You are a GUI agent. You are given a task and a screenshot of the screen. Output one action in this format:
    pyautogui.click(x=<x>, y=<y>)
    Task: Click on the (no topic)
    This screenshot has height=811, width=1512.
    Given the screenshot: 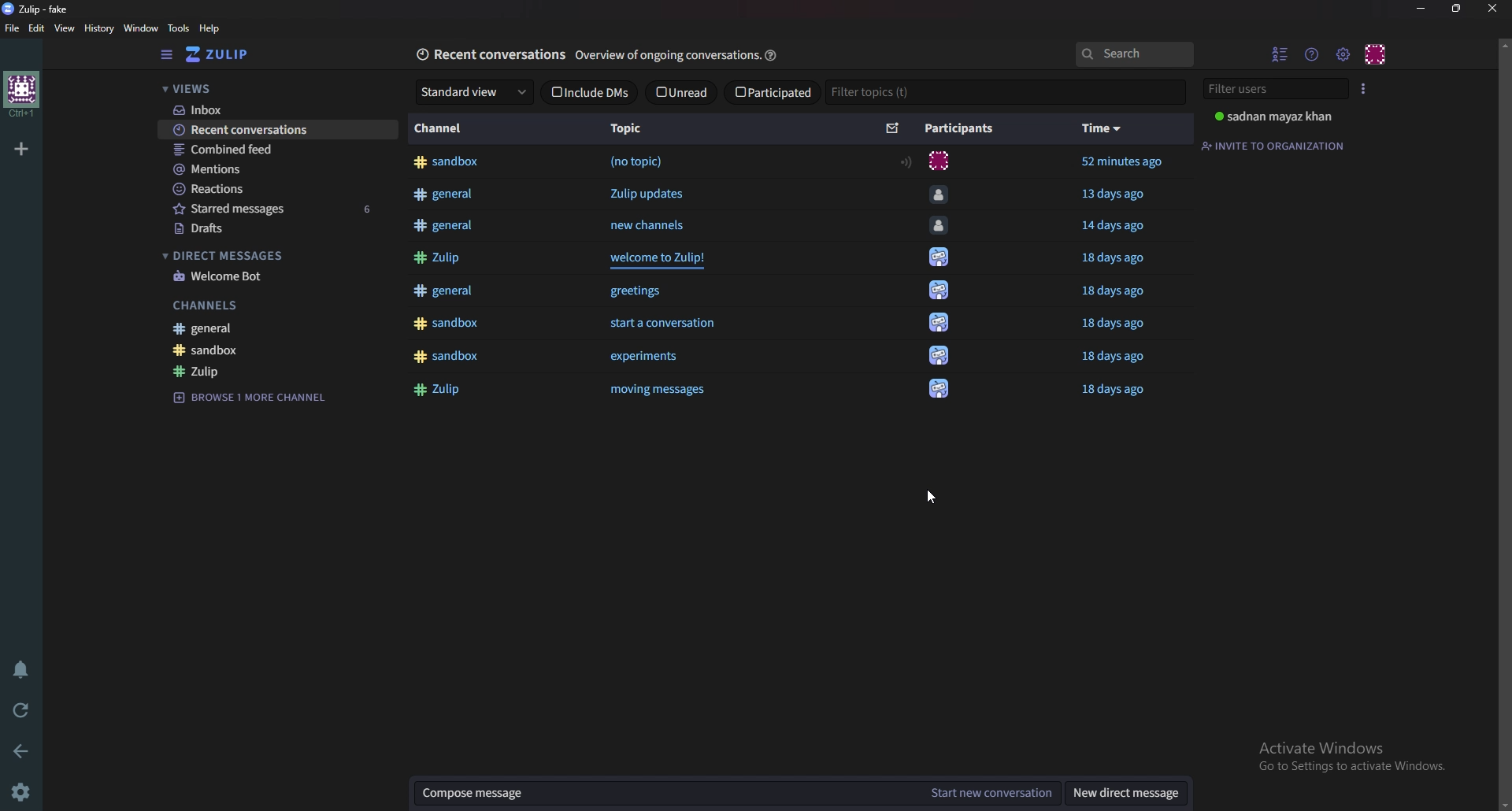 What is the action you would take?
    pyautogui.click(x=636, y=161)
    